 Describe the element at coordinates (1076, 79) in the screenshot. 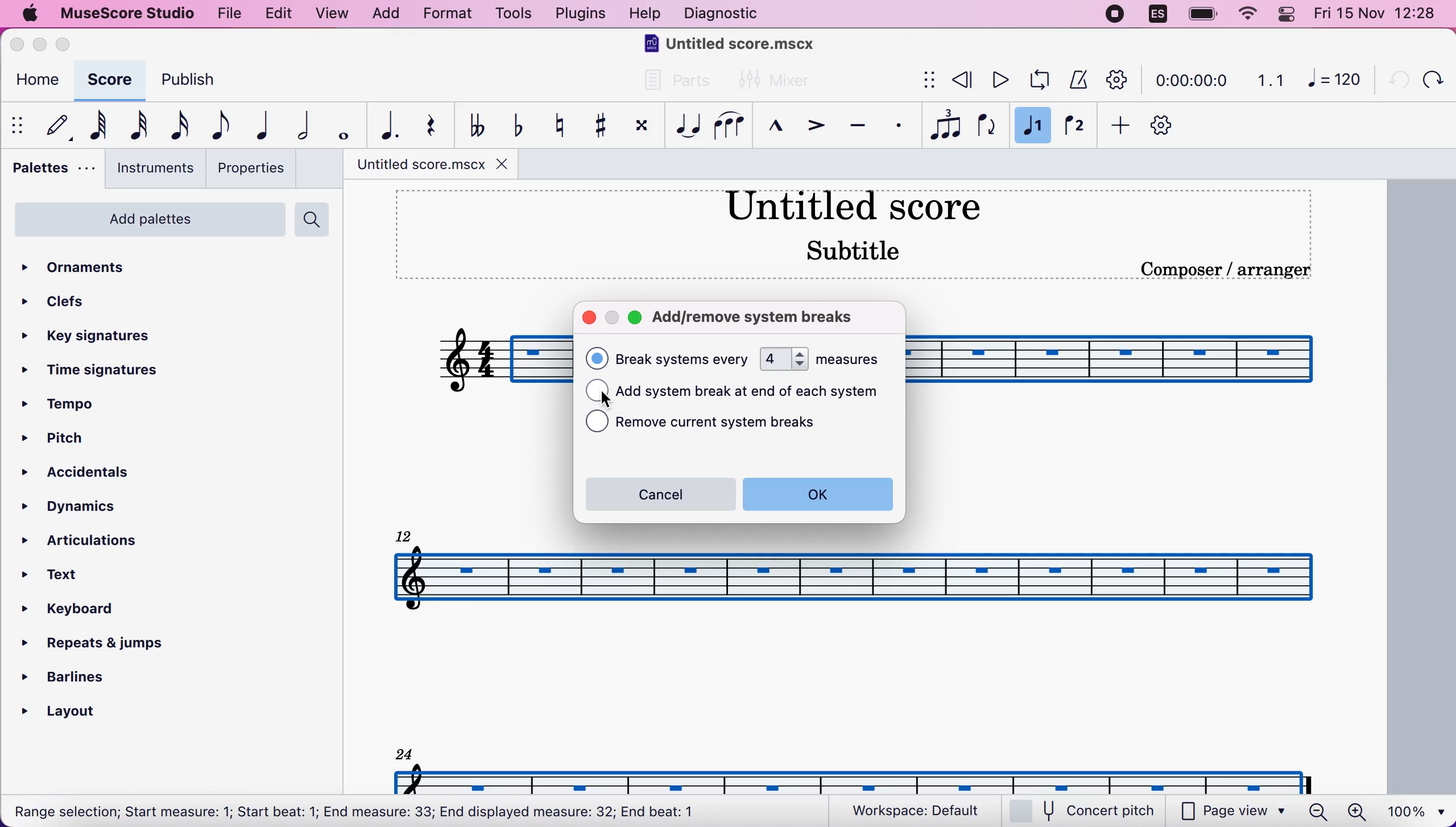

I see `metronome` at that location.